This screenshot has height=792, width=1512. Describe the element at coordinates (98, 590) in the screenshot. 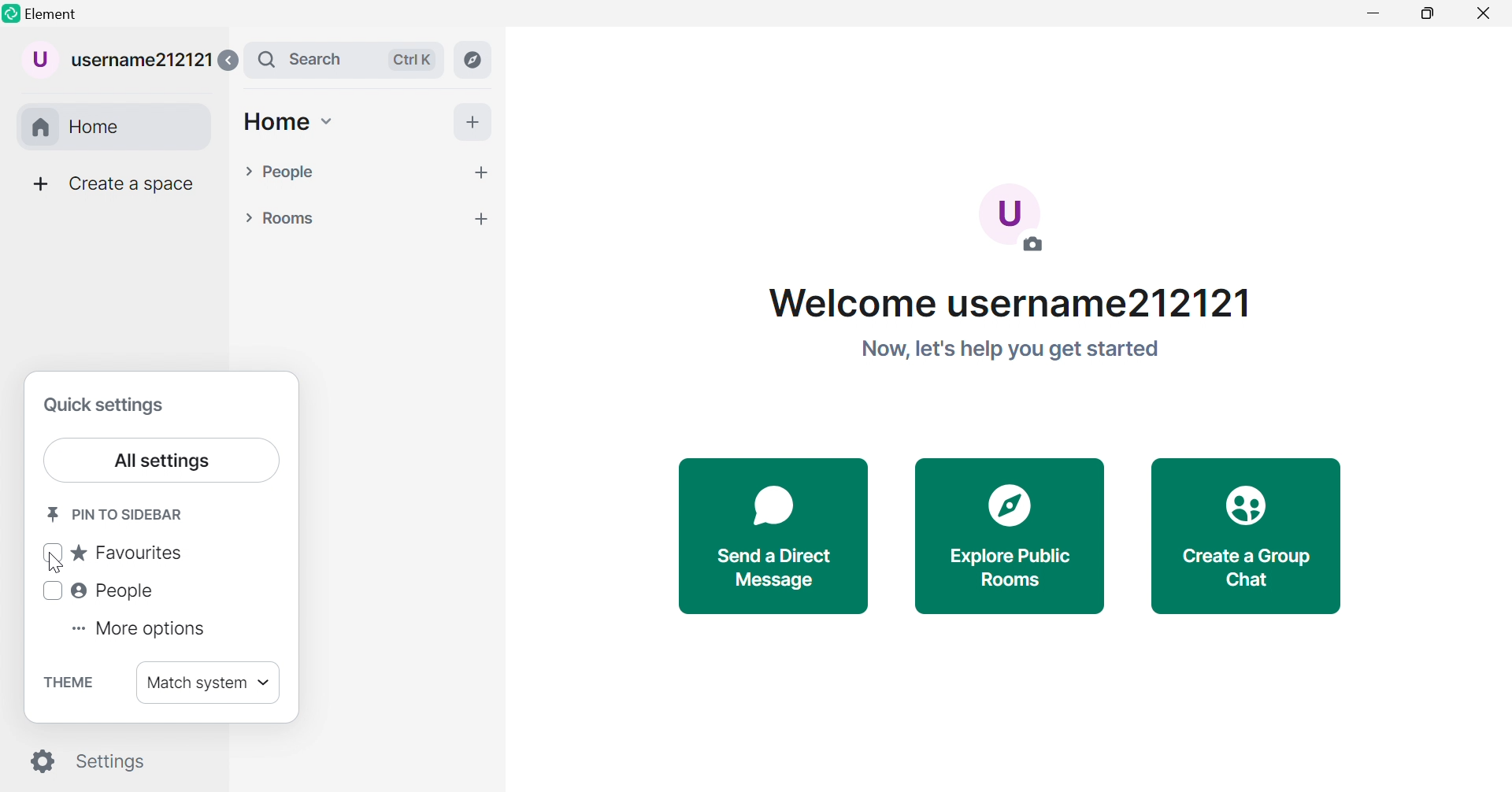

I see `People` at that location.